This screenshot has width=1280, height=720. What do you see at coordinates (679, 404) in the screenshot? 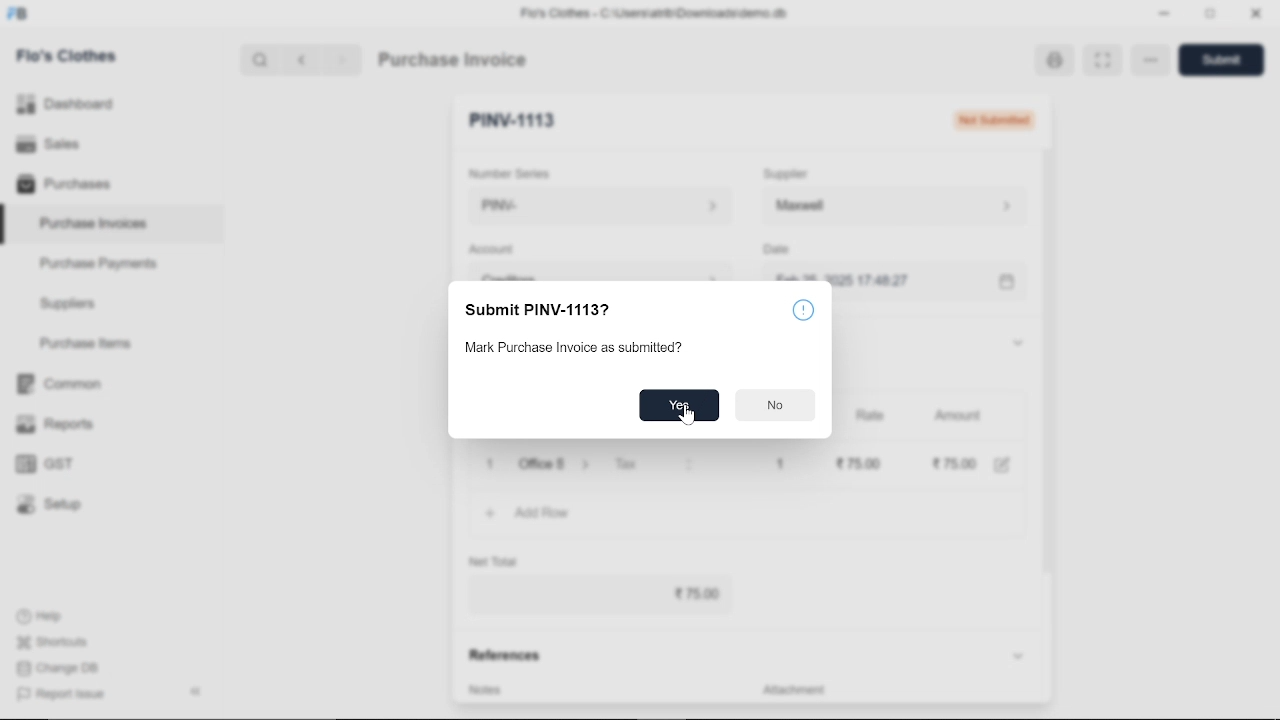
I see `yes` at bounding box center [679, 404].